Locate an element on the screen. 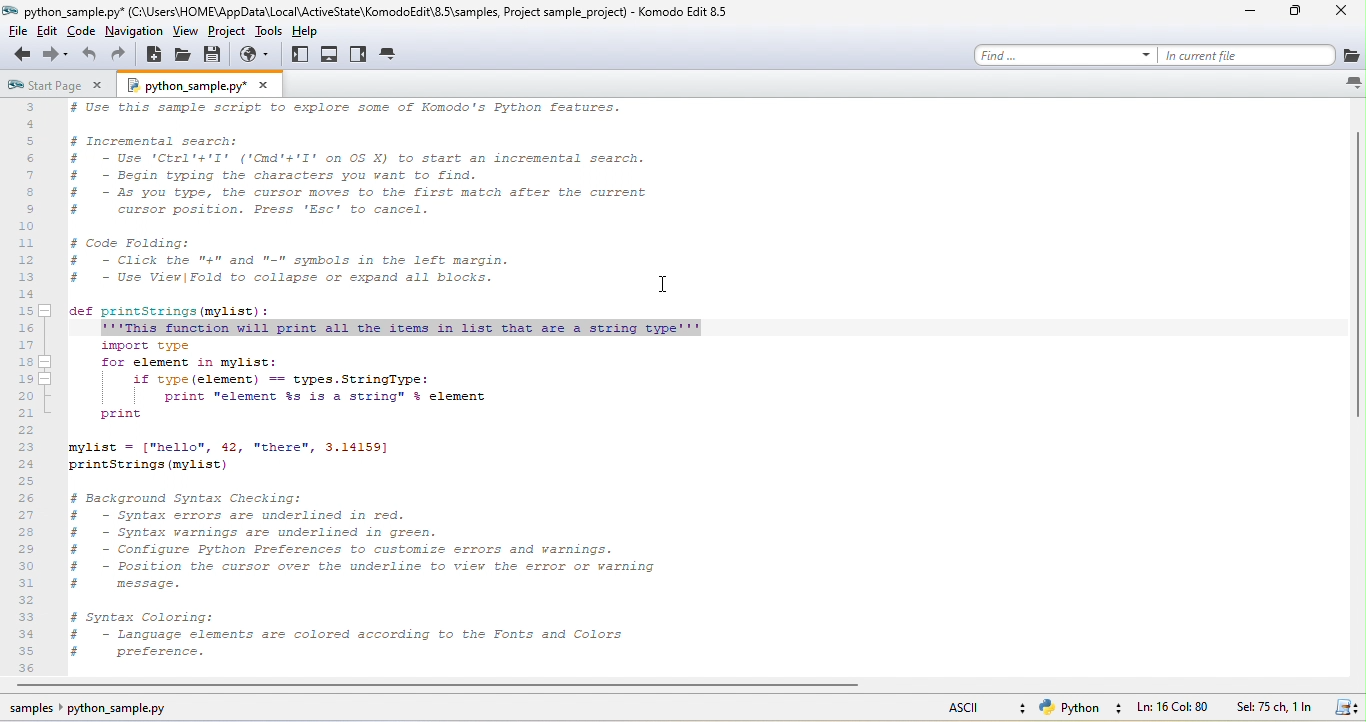 This screenshot has height=722, width=1366. code text is located at coordinates (367, 503).